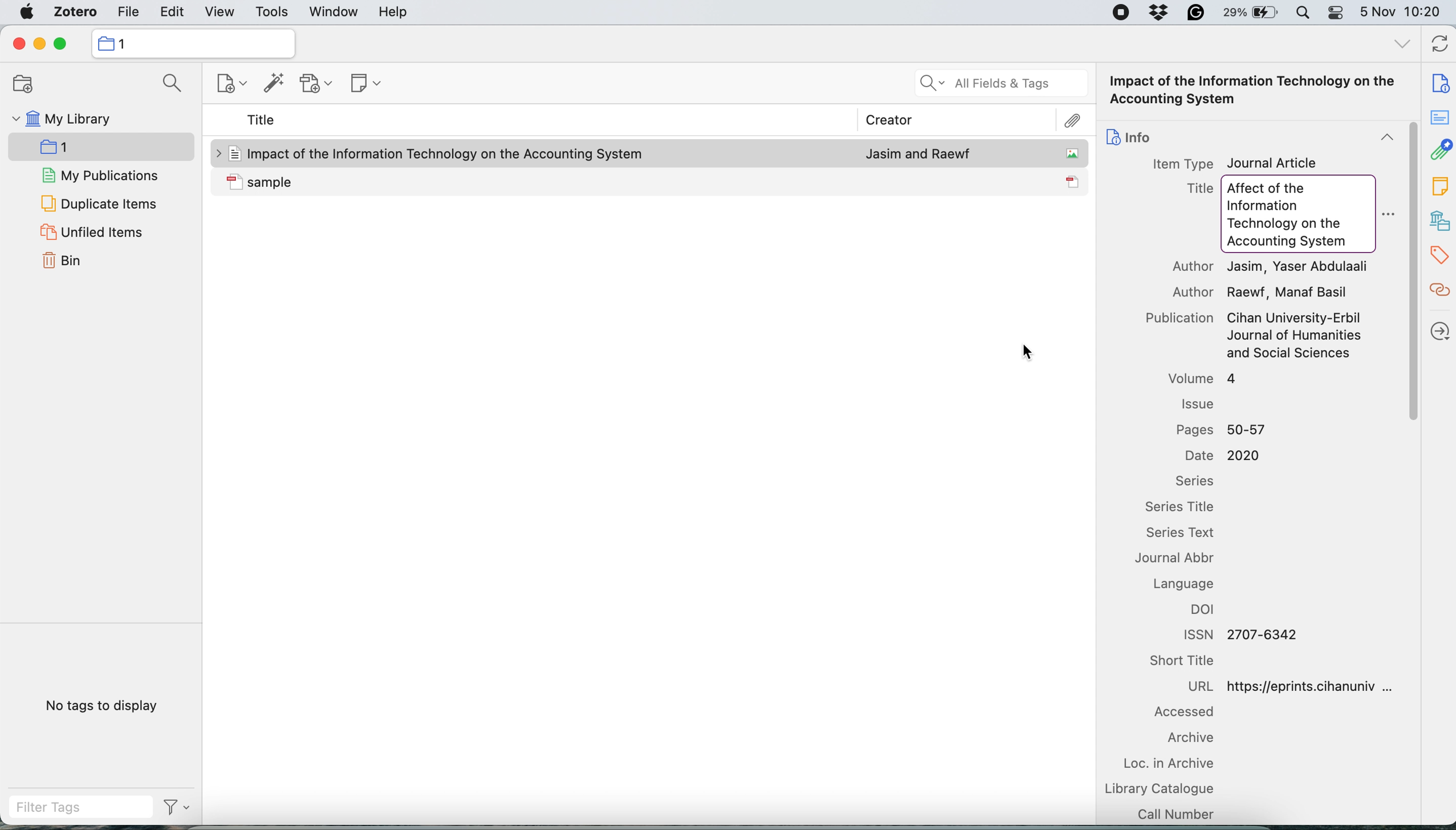  What do you see at coordinates (1439, 257) in the screenshot?
I see `tags` at bounding box center [1439, 257].